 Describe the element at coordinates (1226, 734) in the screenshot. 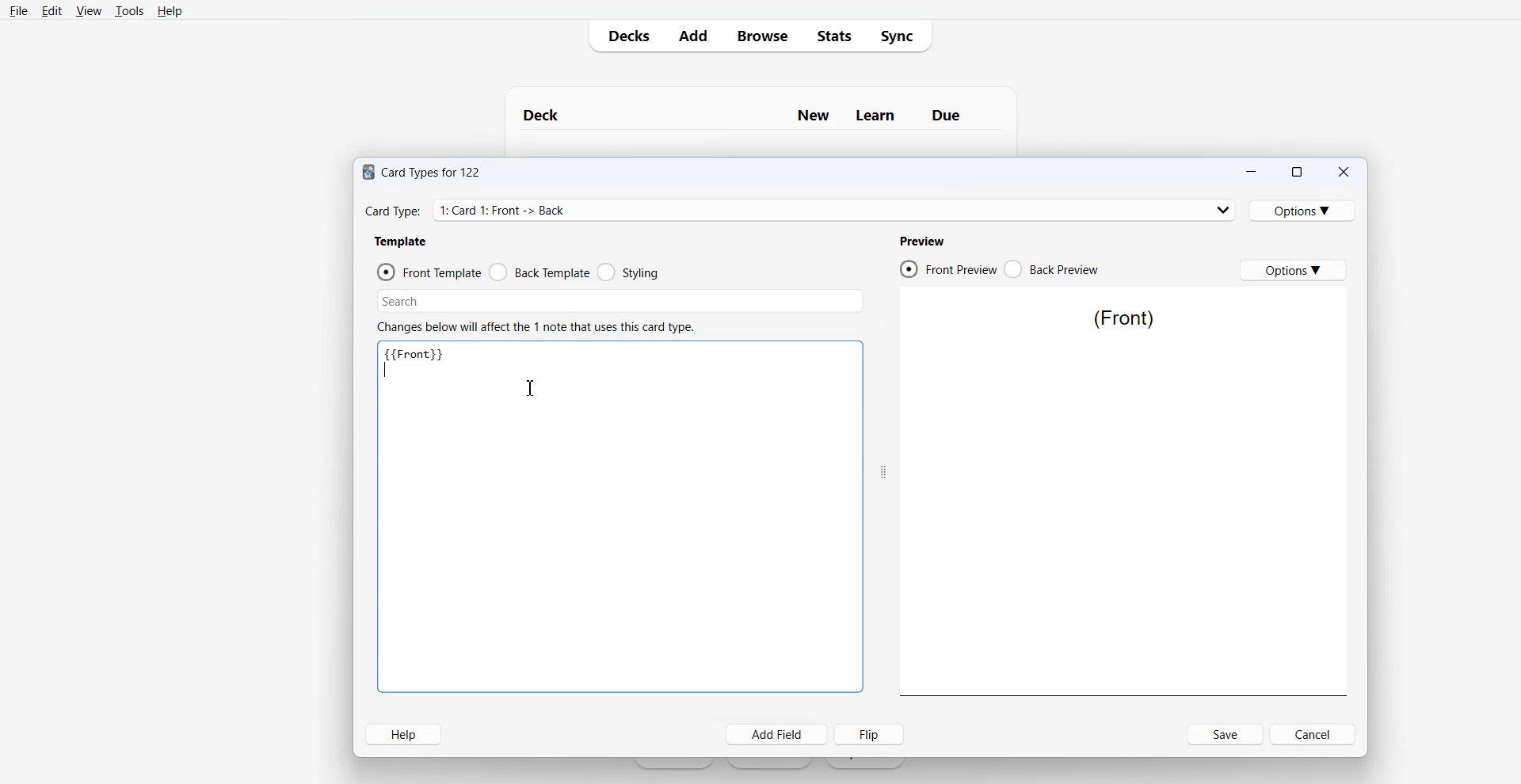

I see `Save` at that location.